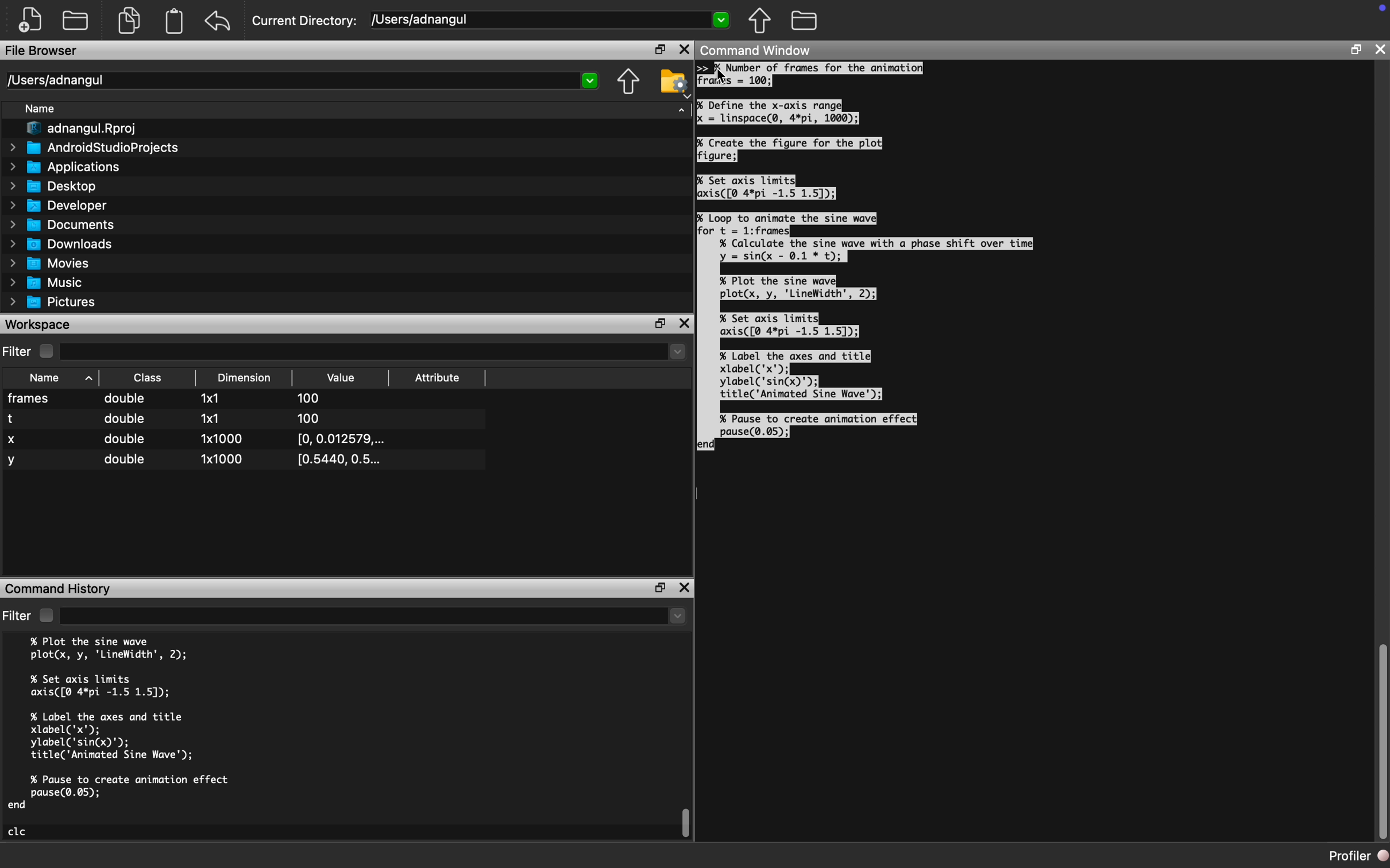  What do you see at coordinates (126, 400) in the screenshot?
I see `double` at bounding box center [126, 400].